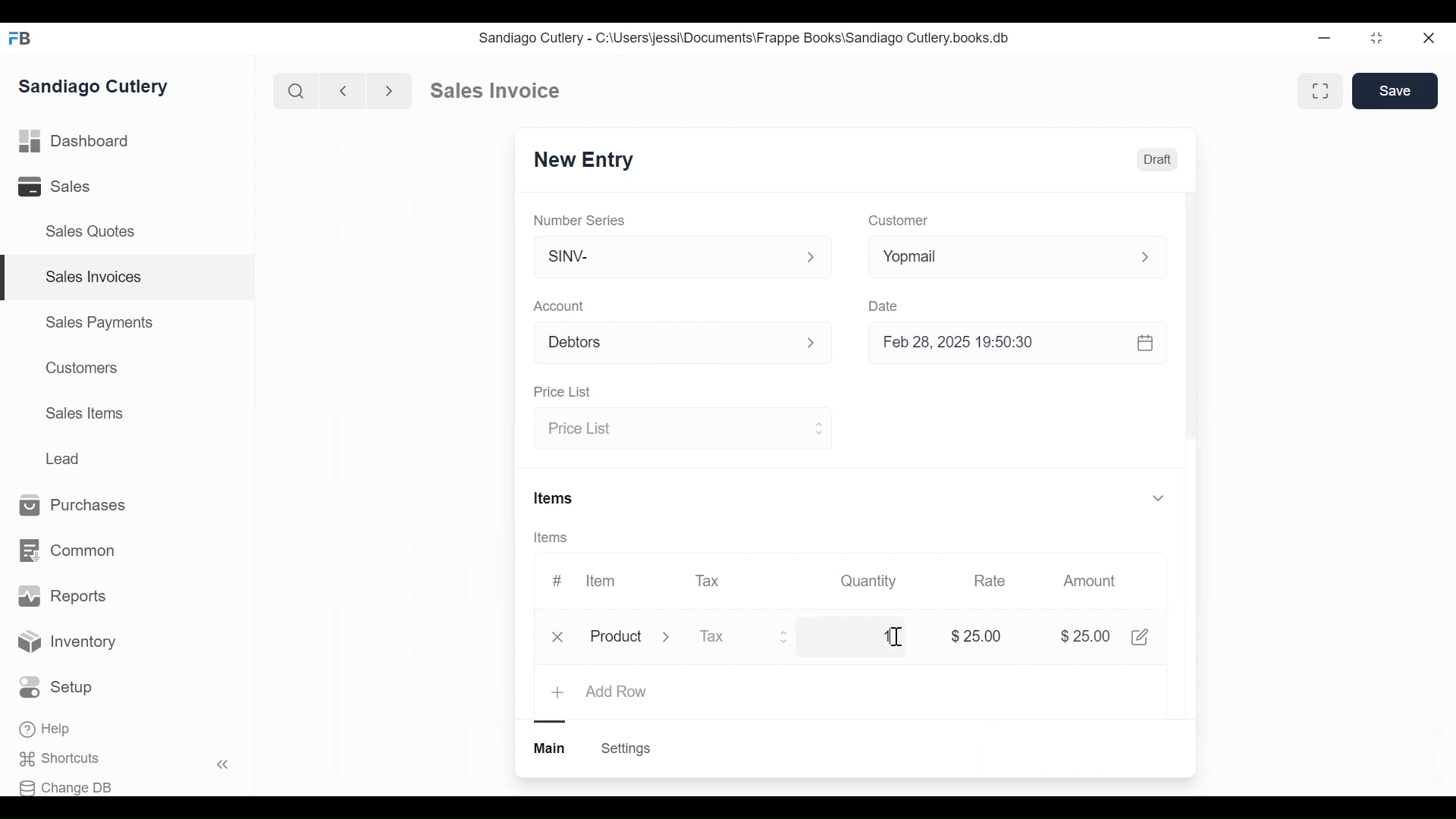  I want to click on main, so click(551, 748).